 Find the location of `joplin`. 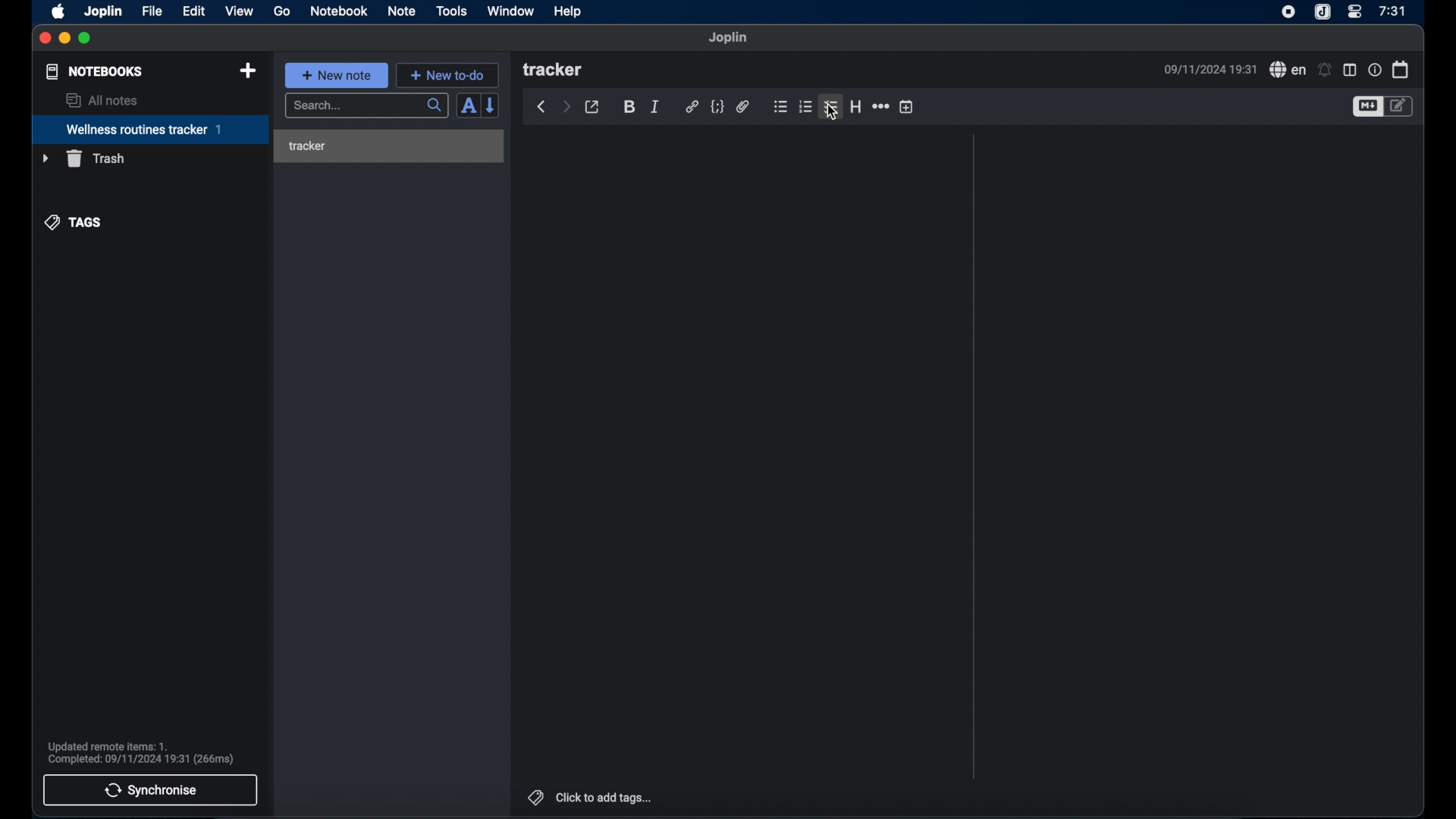

joplin is located at coordinates (729, 38).